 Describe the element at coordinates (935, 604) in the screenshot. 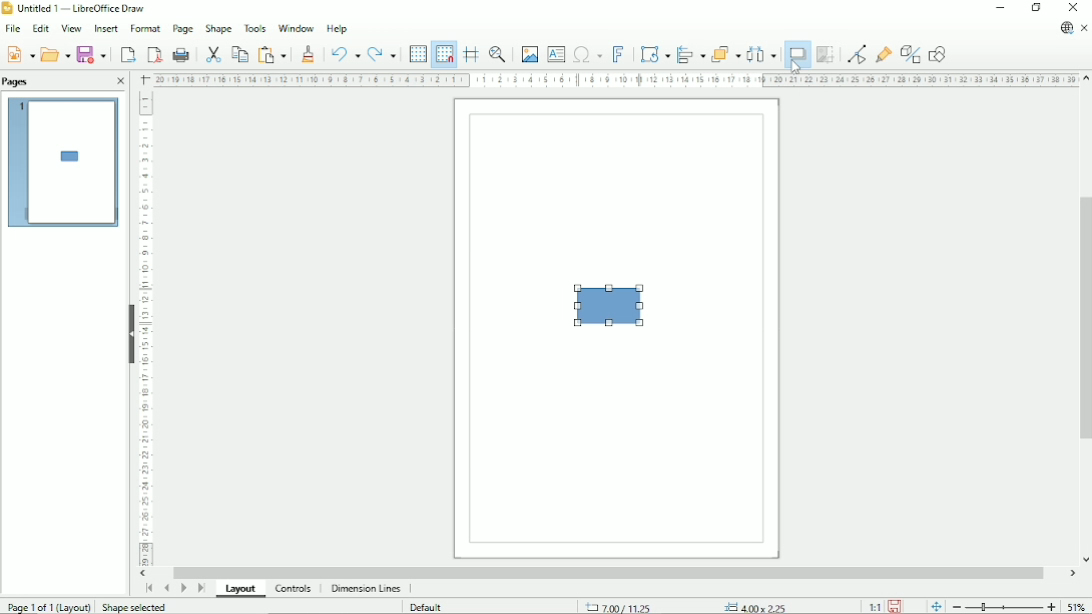

I see `Fit page to current window` at that location.